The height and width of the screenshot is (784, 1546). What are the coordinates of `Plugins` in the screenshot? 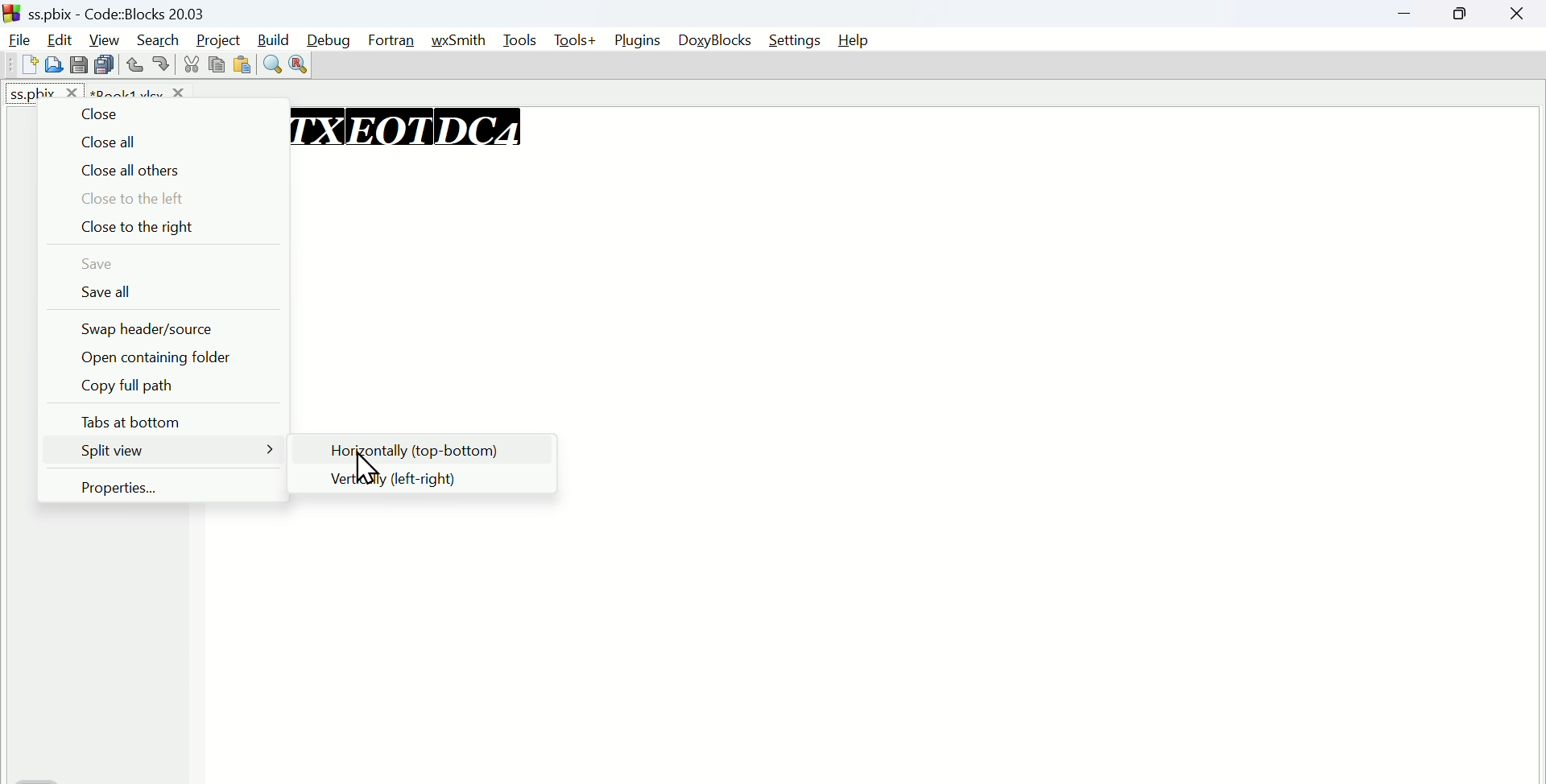 It's located at (637, 41).